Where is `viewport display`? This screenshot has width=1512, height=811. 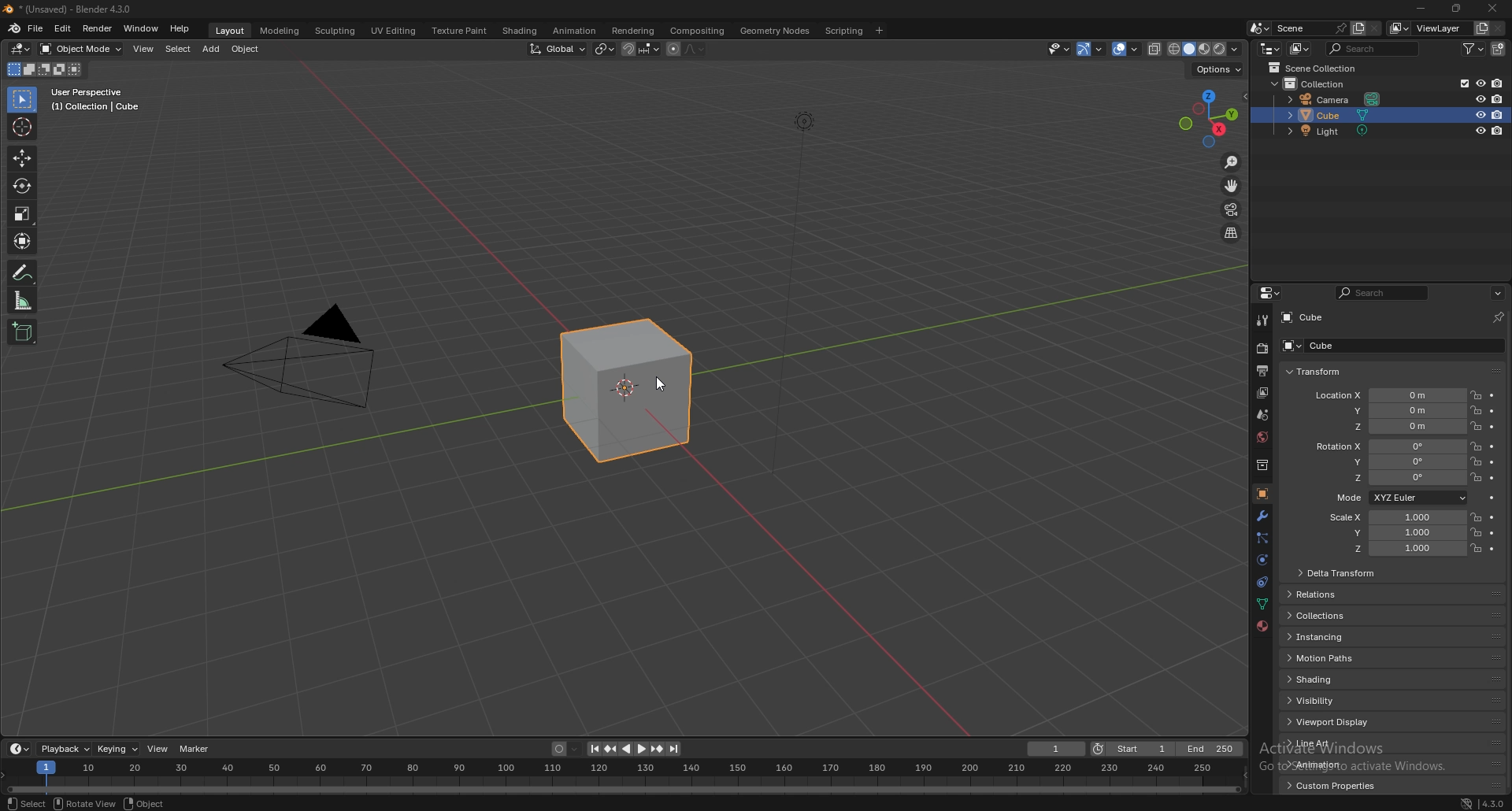 viewport display is located at coordinates (1330, 721).